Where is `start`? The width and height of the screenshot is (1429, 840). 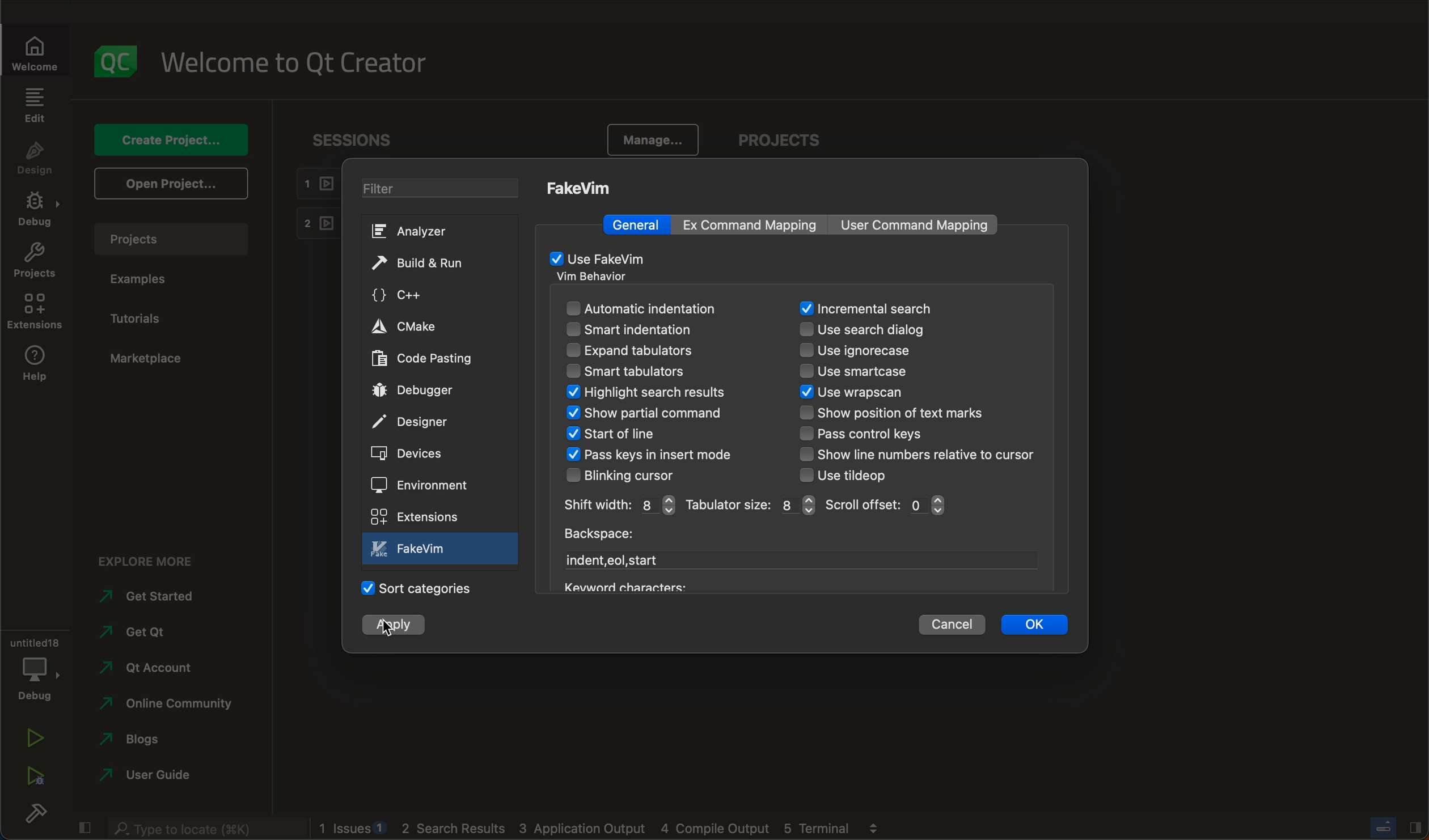 start is located at coordinates (610, 560).